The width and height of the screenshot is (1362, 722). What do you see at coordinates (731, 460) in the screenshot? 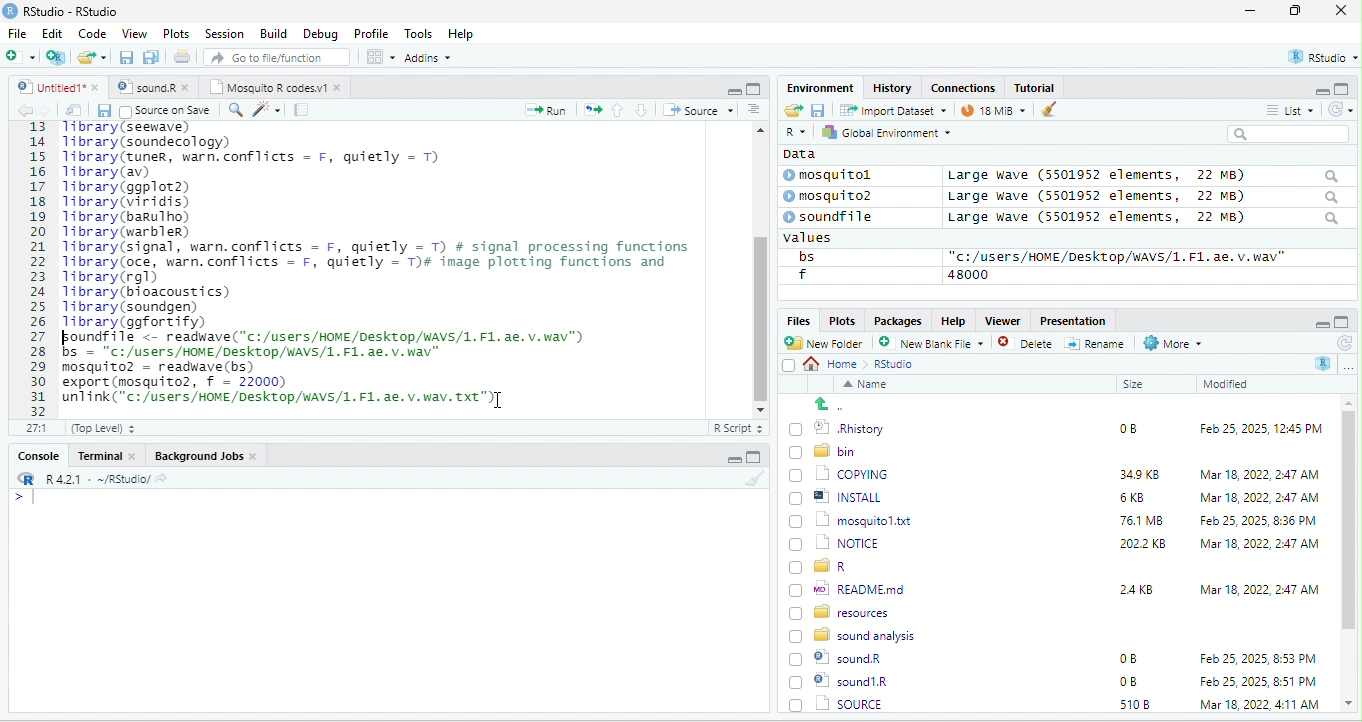
I see `minimize` at bounding box center [731, 460].